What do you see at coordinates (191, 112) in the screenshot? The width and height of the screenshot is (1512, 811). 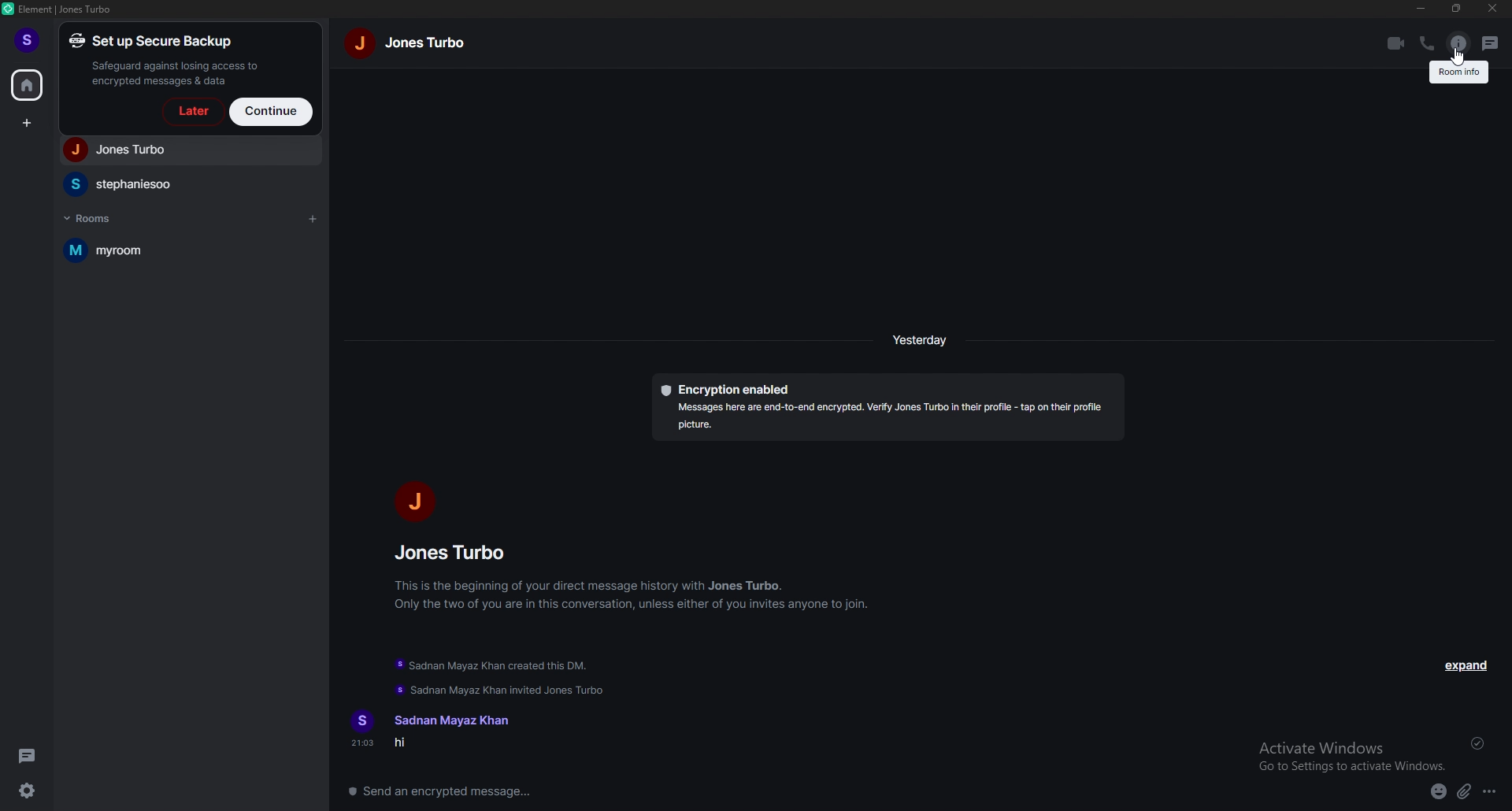 I see `later` at bounding box center [191, 112].